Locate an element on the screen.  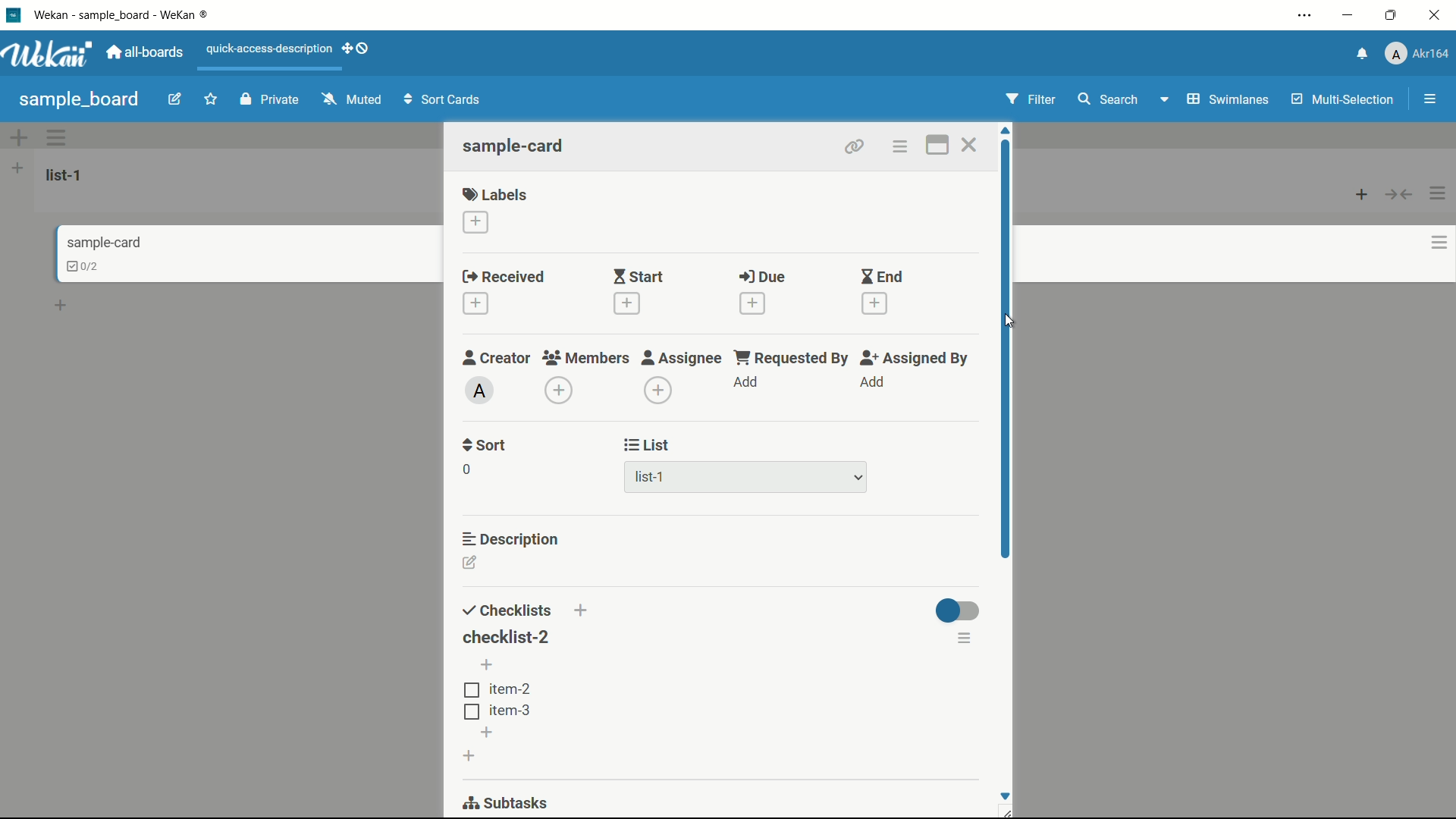
assignee is located at coordinates (682, 357).